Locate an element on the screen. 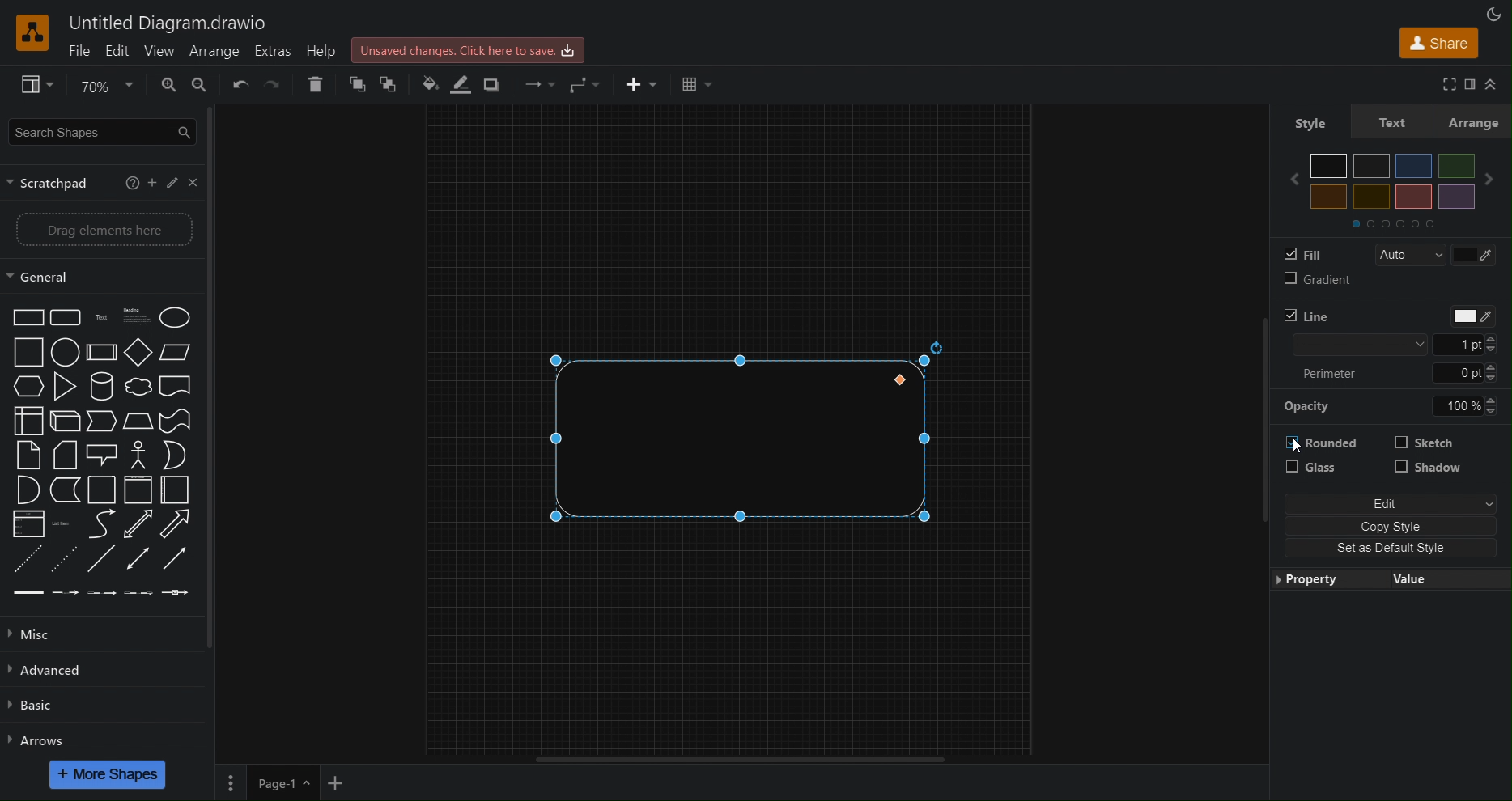 The width and height of the screenshot is (1512, 801). Misc is located at coordinates (46, 634).